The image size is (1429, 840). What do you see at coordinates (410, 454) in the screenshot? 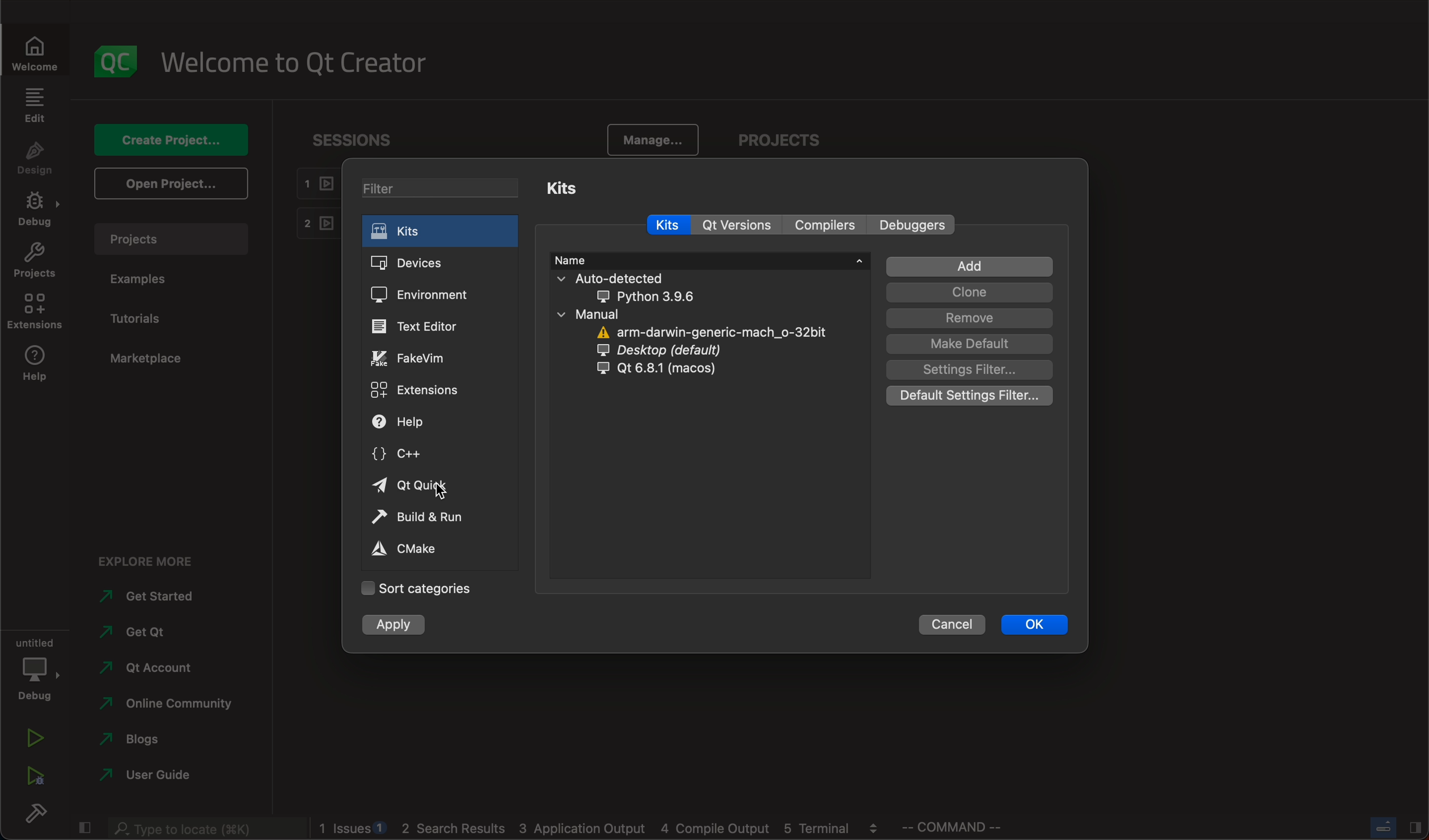
I see `c++` at bounding box center [410, 454].